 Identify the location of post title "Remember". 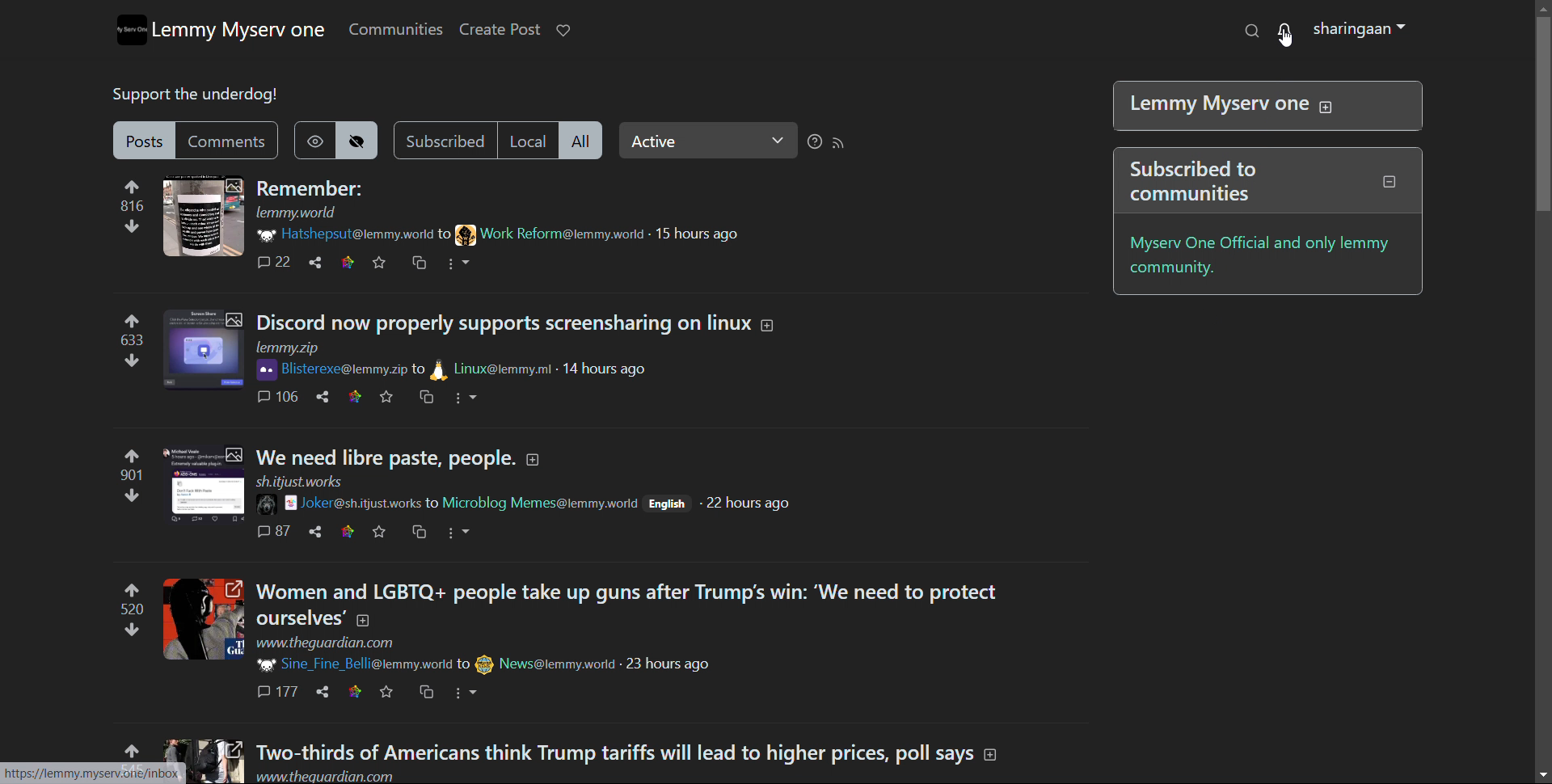
(309, 188).